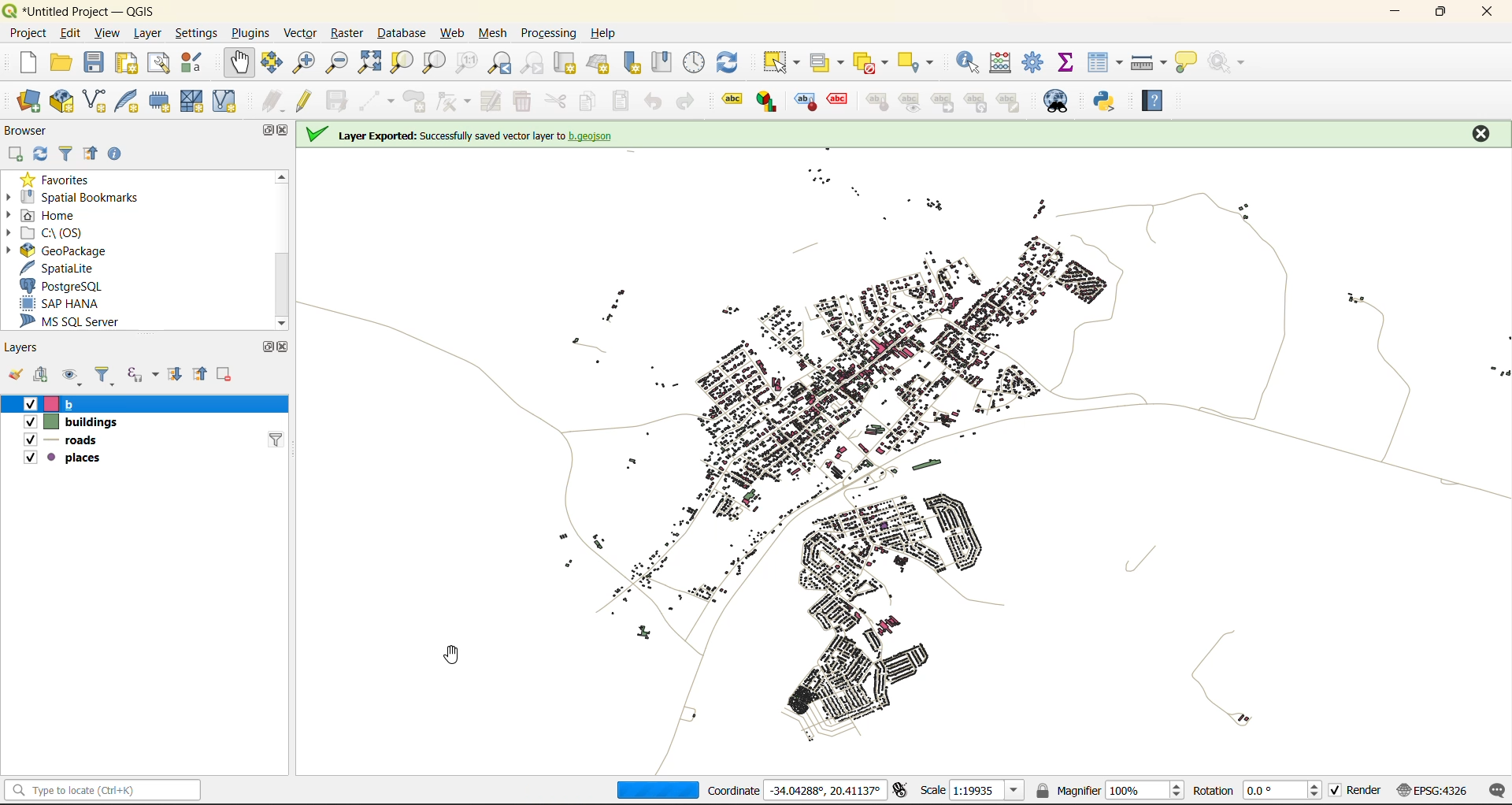 This screenshot has width=1512, height=805. Describe the element at coordinates (108, 376) in the screenshot. I see `filter` at that location.